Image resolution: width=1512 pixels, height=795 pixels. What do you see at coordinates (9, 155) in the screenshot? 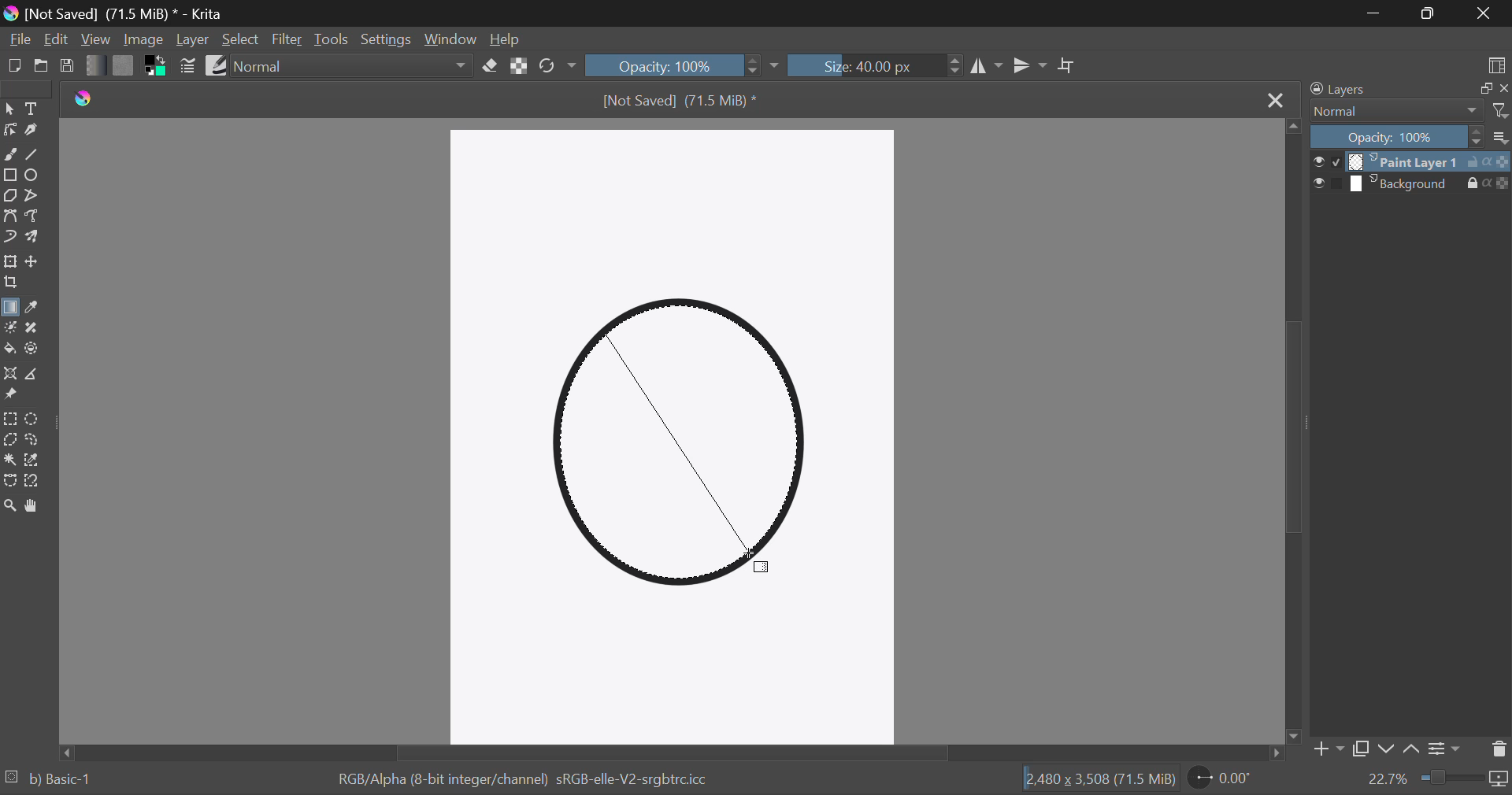
I see `Freehand` at bounding box center [9, 155].